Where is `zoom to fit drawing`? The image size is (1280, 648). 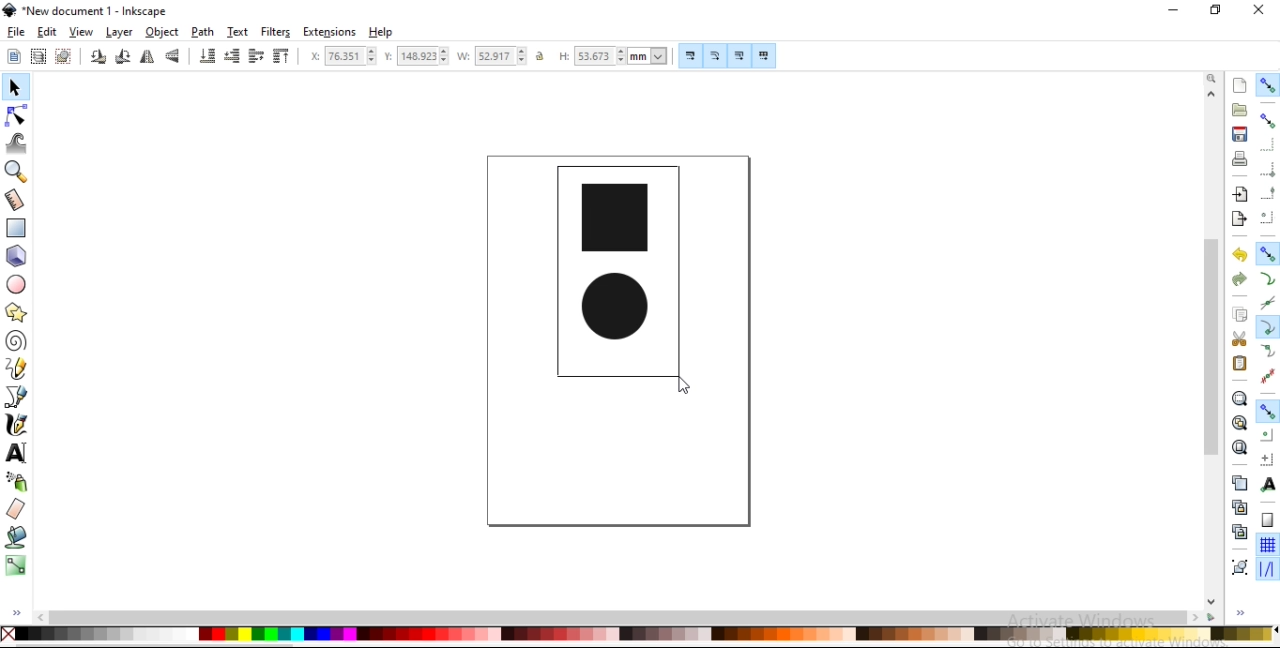 zoom to fit drawing is located at coordinates (1239, 422).